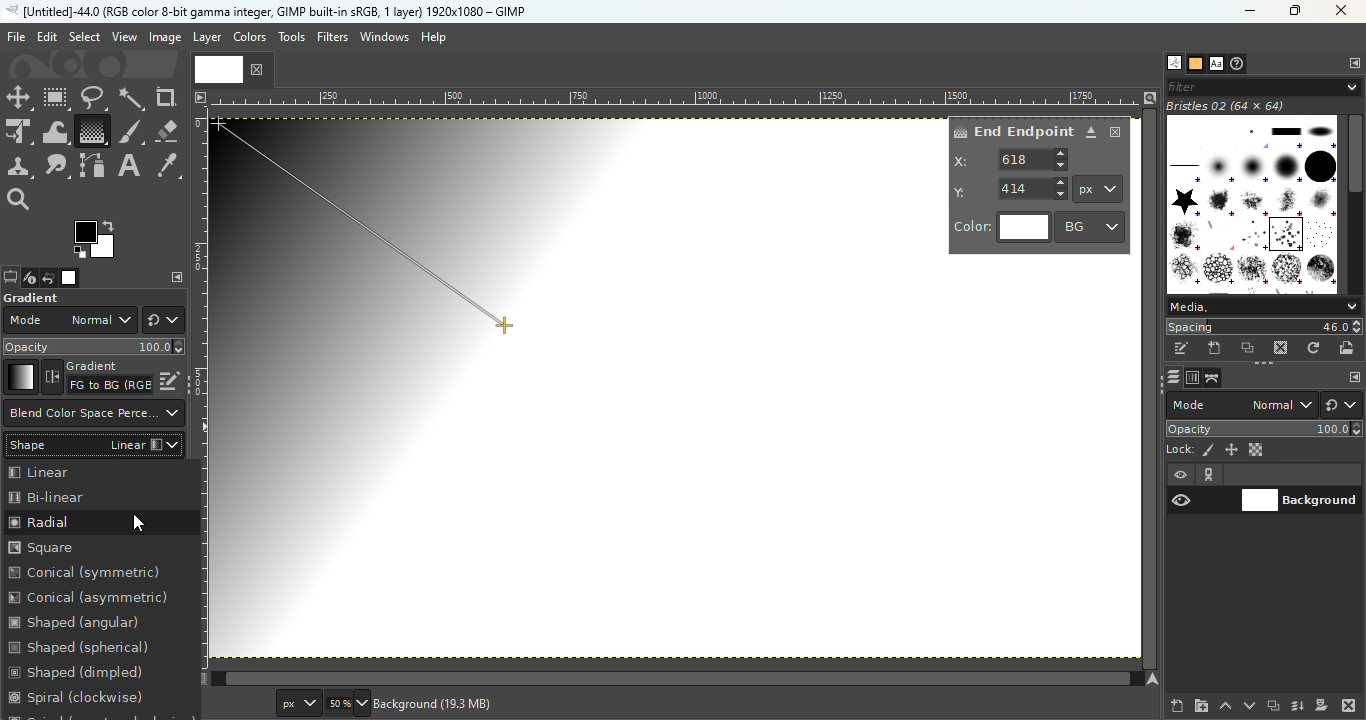 This screenshot has height=720, width=1366. I want to click on Open the channels dialog, so click(1191, 376).